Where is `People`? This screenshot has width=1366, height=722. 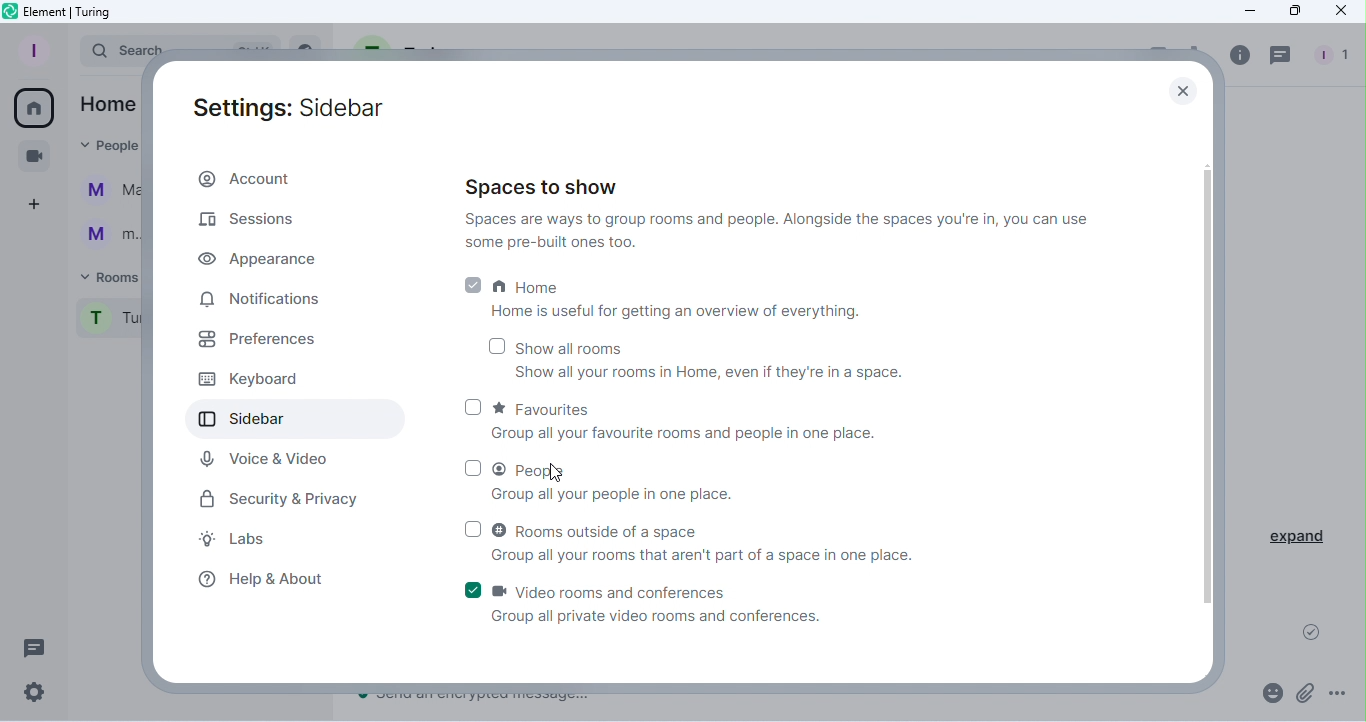 People is located at coordinates (1333, 58).